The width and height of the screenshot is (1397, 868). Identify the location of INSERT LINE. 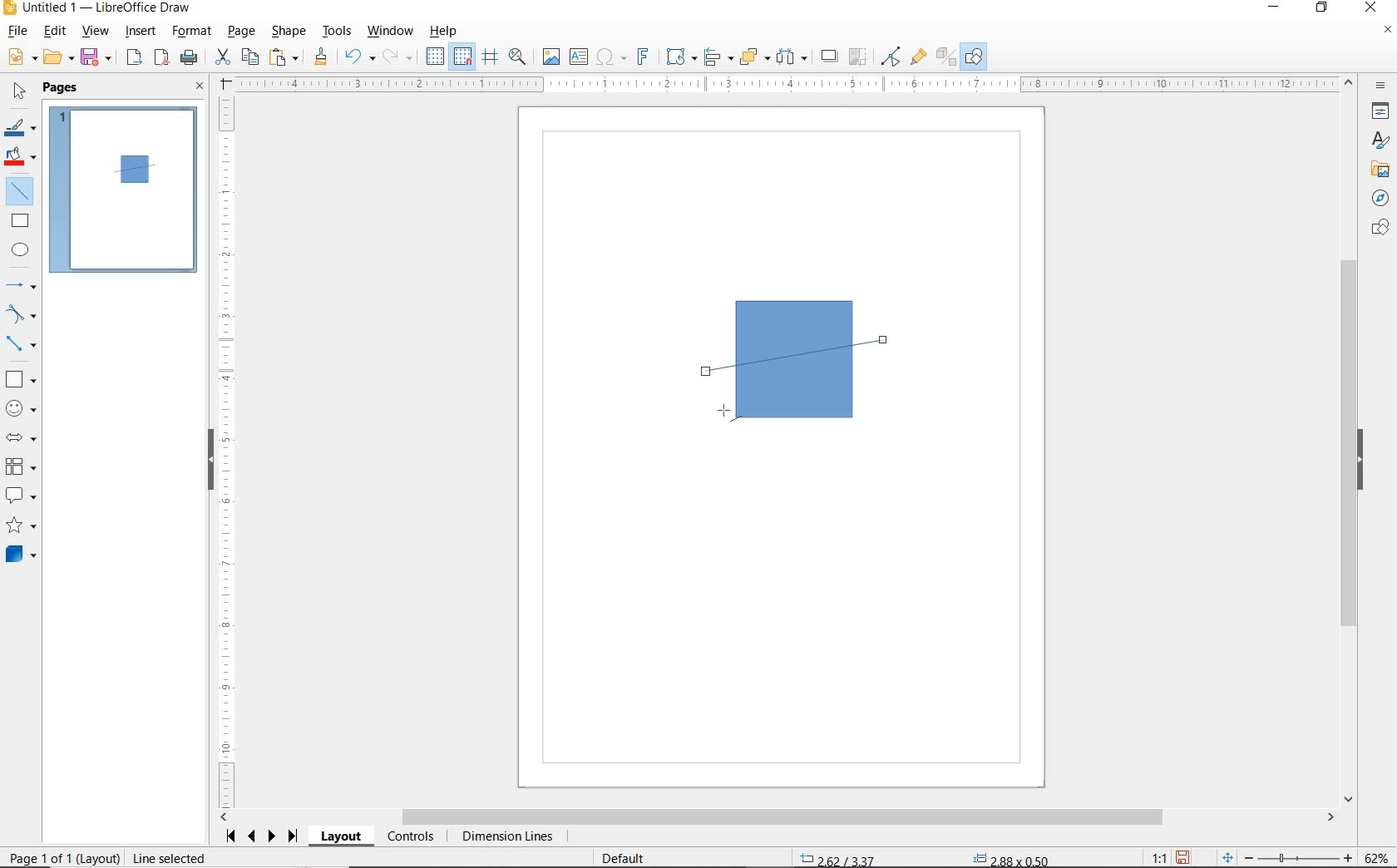
(22, 191).